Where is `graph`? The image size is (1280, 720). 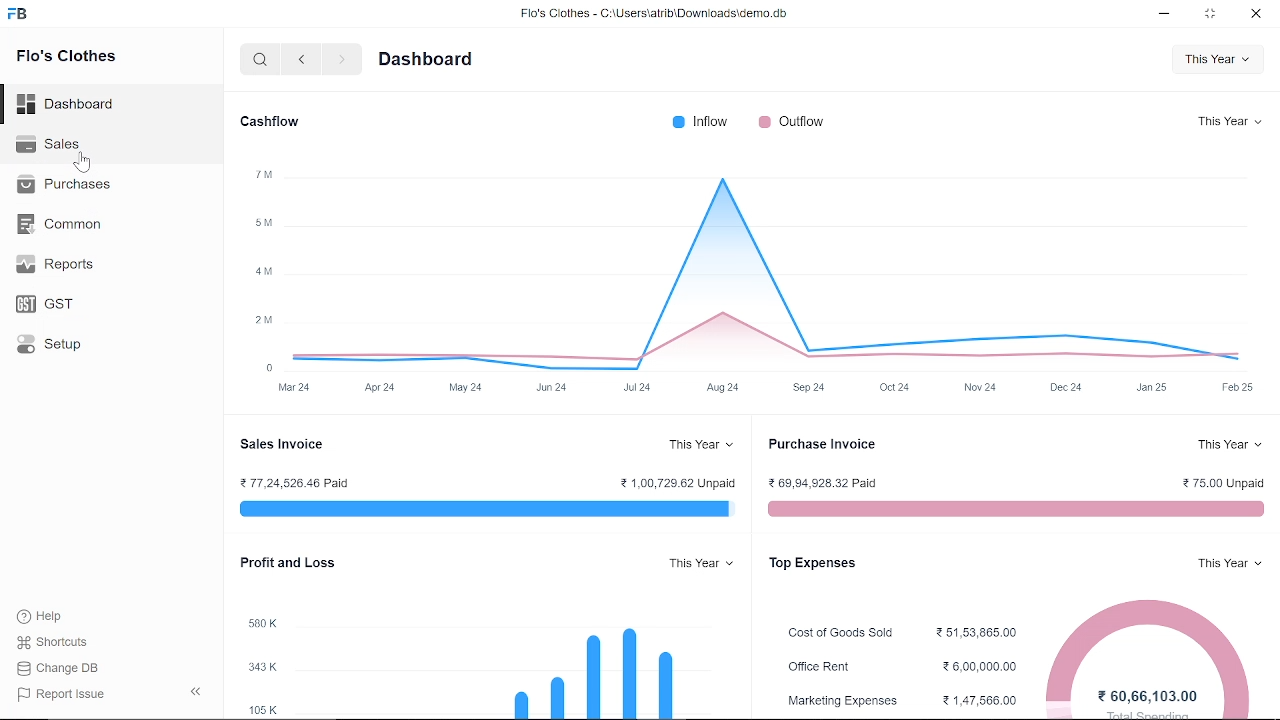
graph is located at coordinates (774, 268).